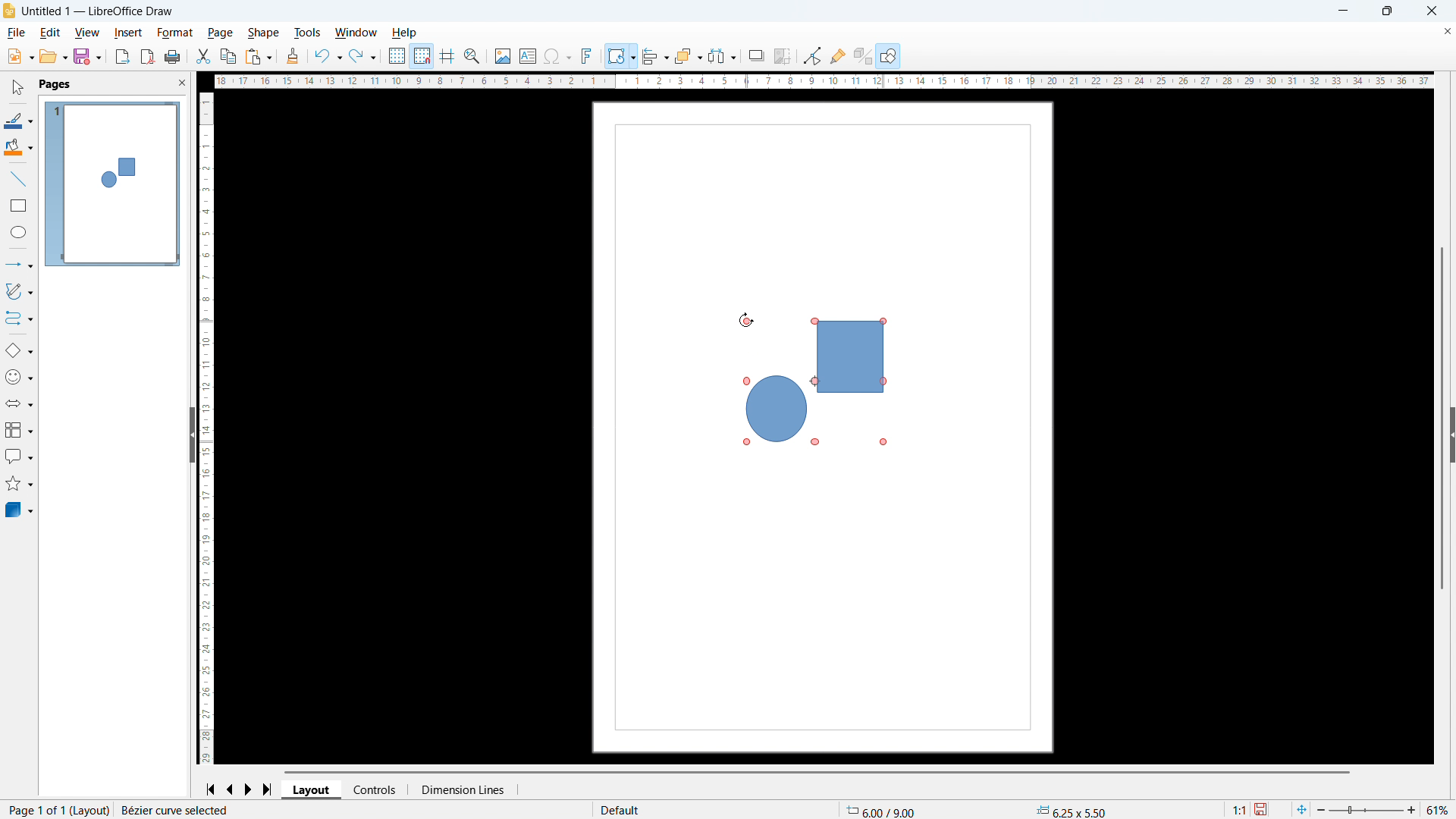 Image resolution: width=1456 pixels, height=819 pixels. I want to click on Shadow , so click(756, 55).